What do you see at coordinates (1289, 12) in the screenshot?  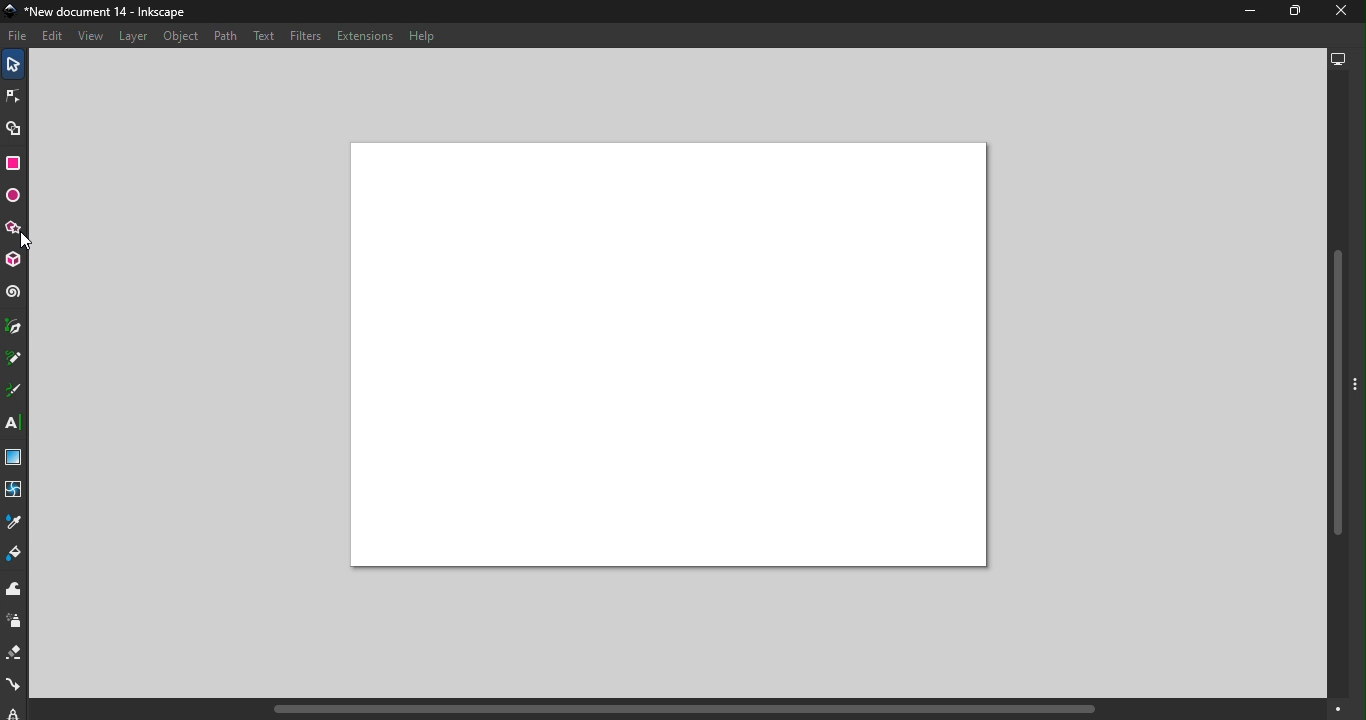 I see `Maximize` at bounding box center [1289, 12].